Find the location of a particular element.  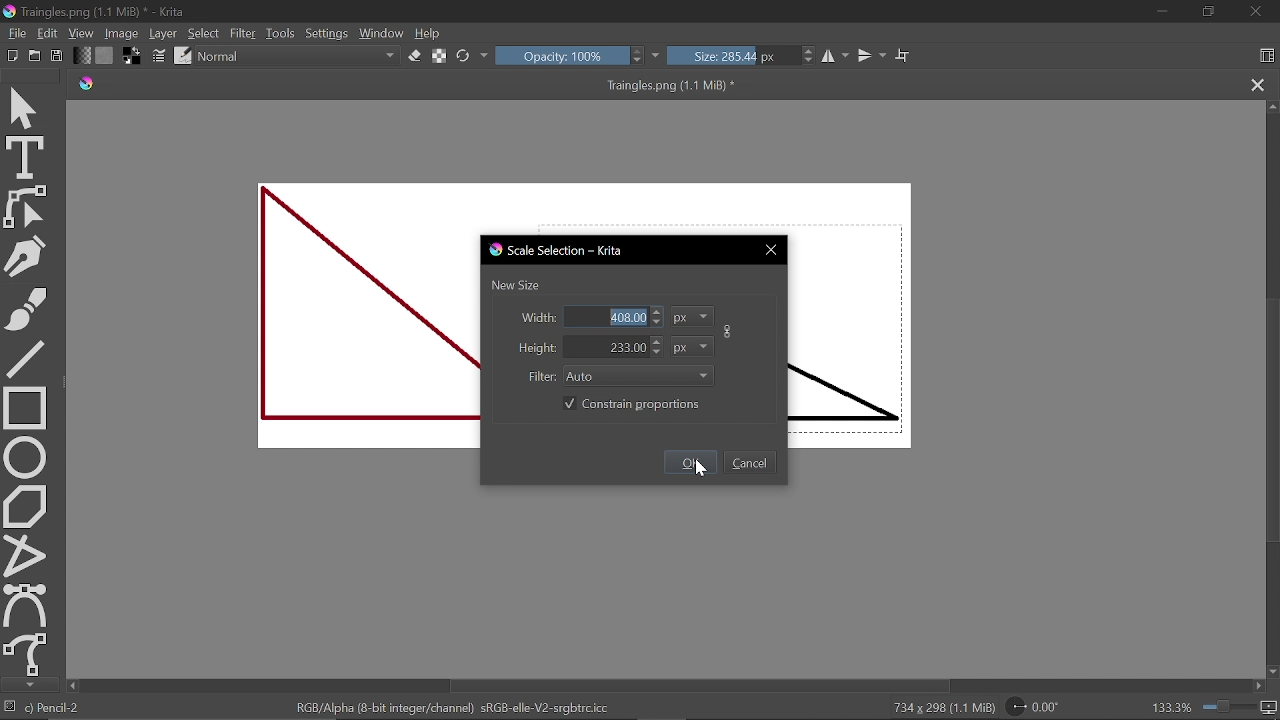

Eraser is located at coordinates (414, 57).